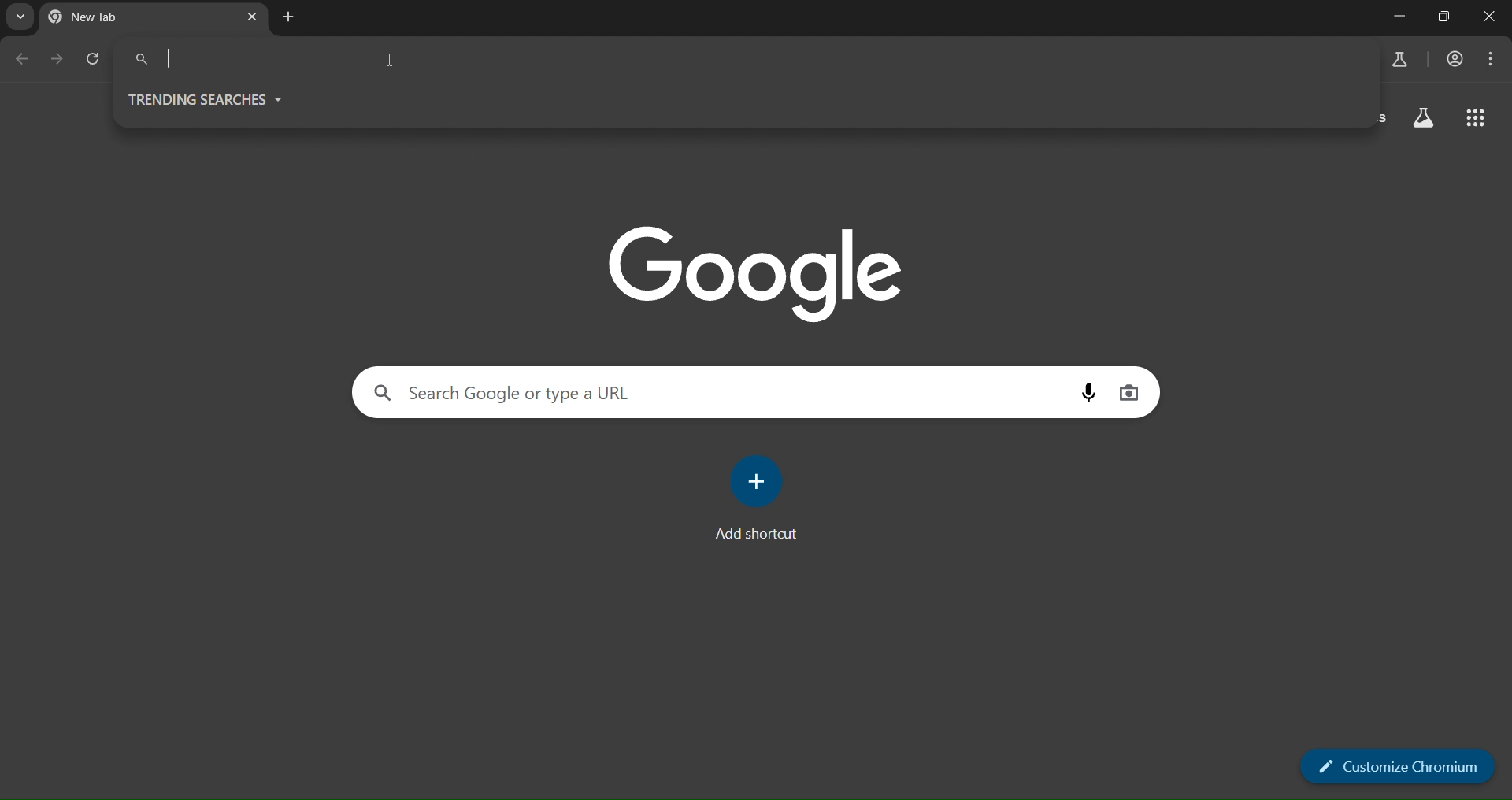 Image resolution: width=1512 pixels, height=800 pixels. Describe the element at coordinates (1444, 17) in the screenshot. I see `full screen` at that location.